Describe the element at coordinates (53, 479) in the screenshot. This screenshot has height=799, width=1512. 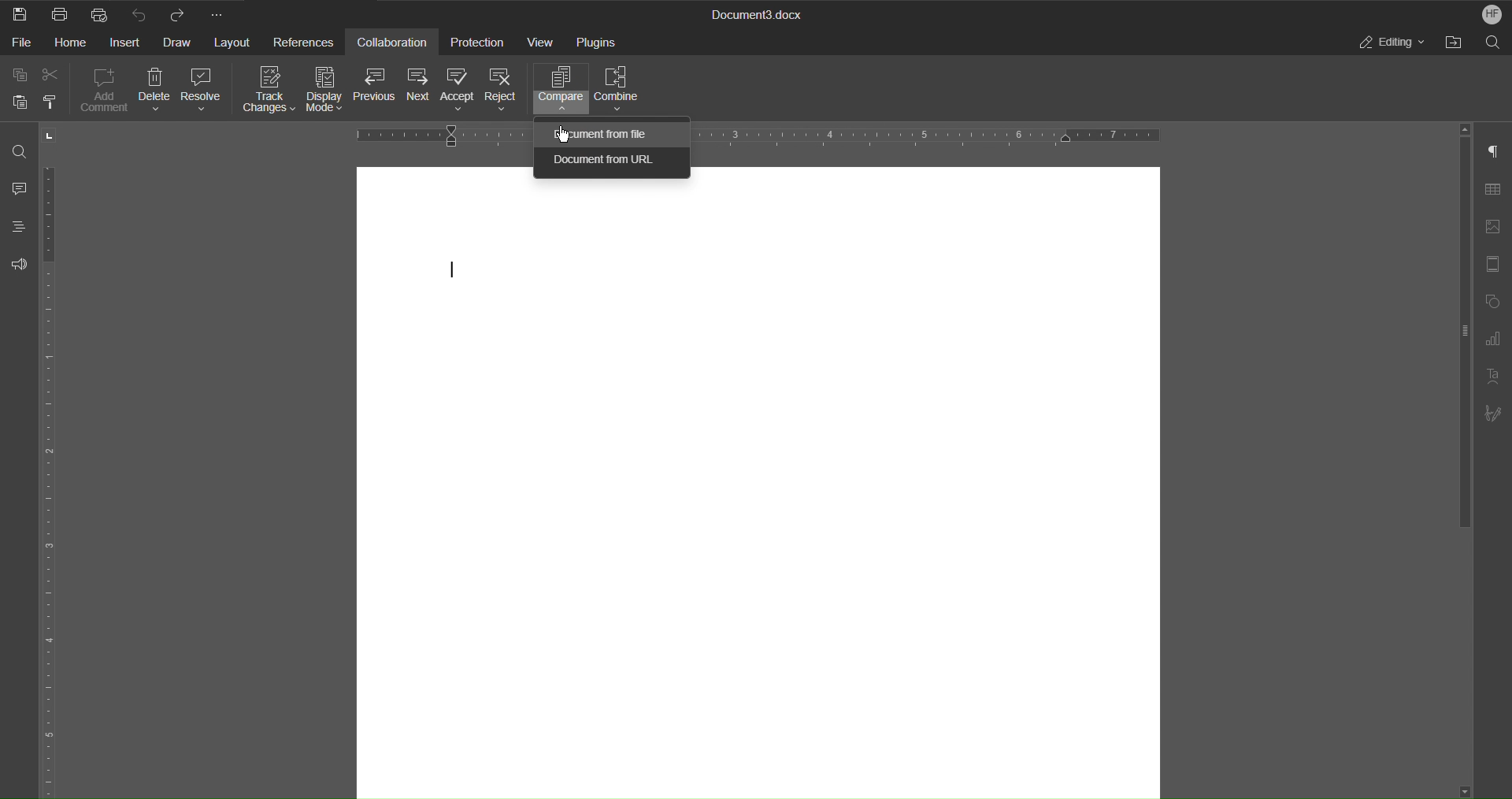
I see `Vertical Ruler` at that location.